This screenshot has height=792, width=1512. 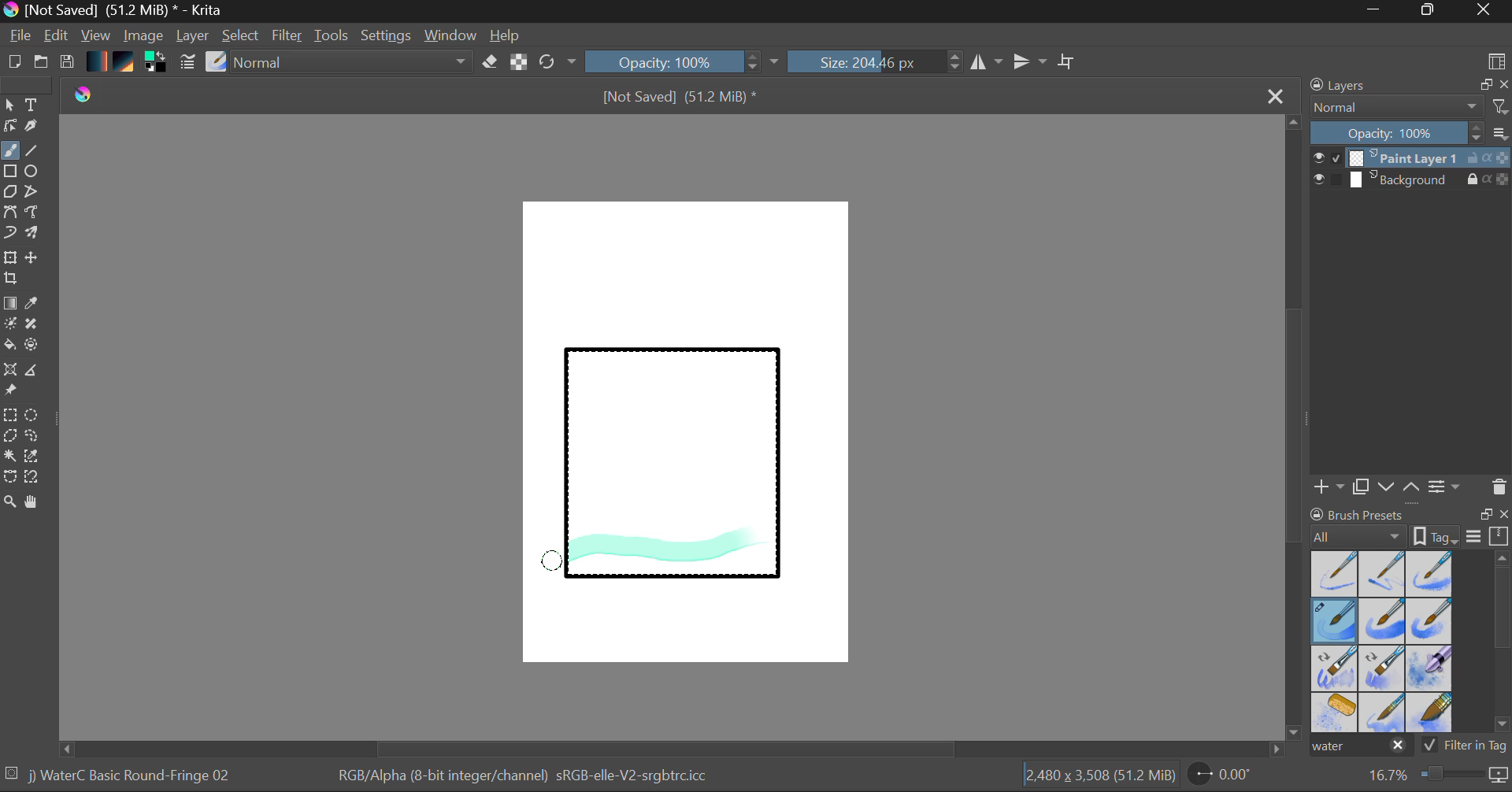 I want to click on Polygon, so click(x=9, y=192).